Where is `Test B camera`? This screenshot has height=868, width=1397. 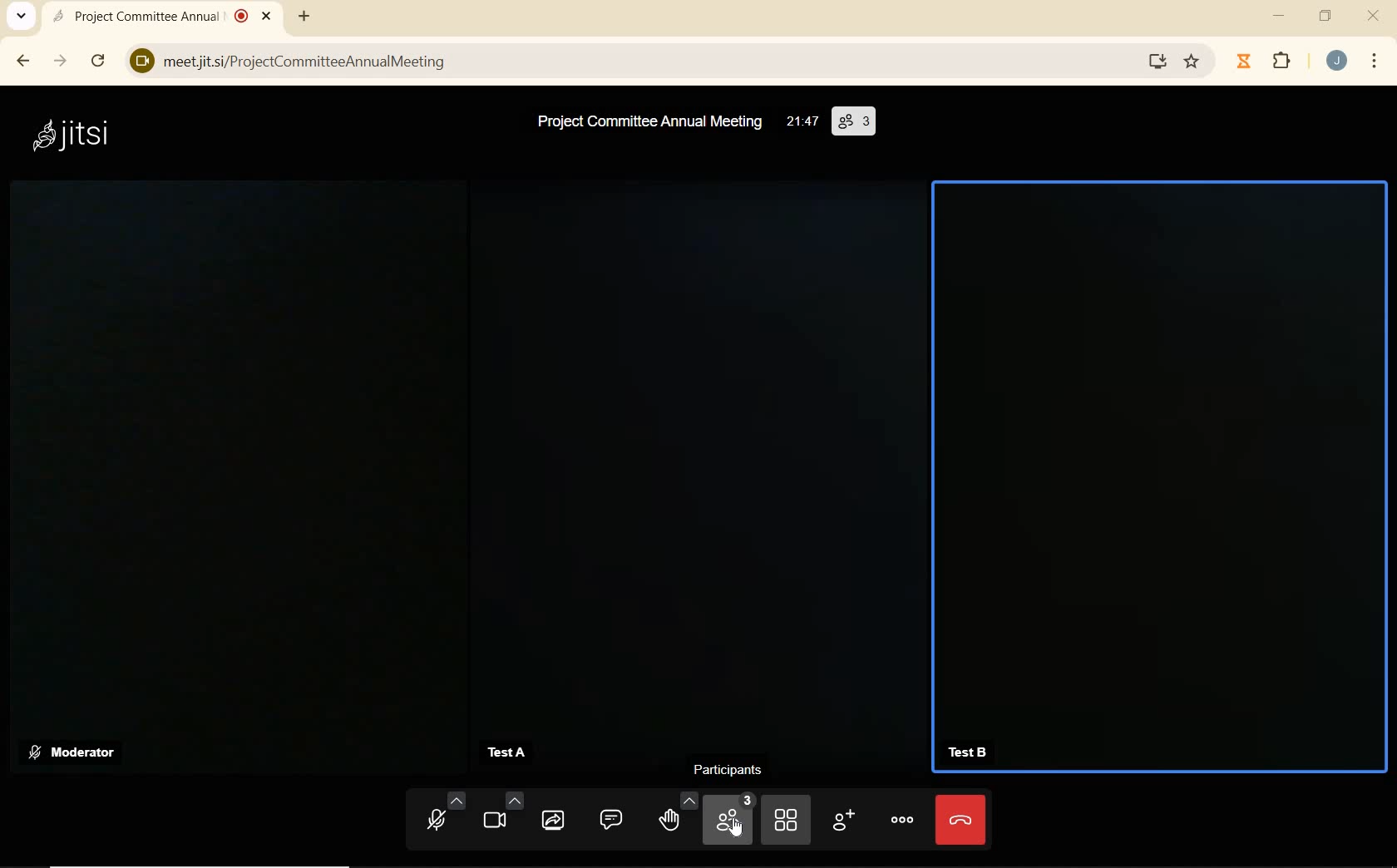 Test B camera is located at coordinates (1157, 458).